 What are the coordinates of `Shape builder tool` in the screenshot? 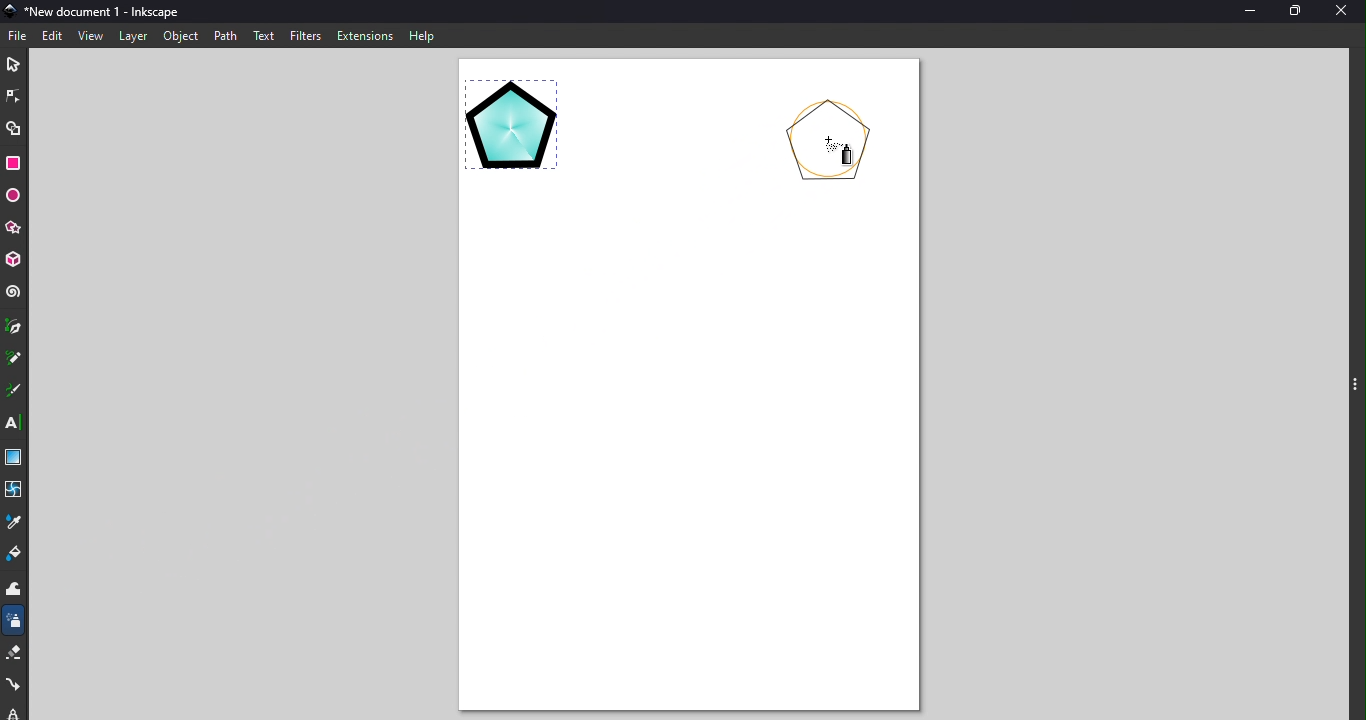 It's located at (13, 129).